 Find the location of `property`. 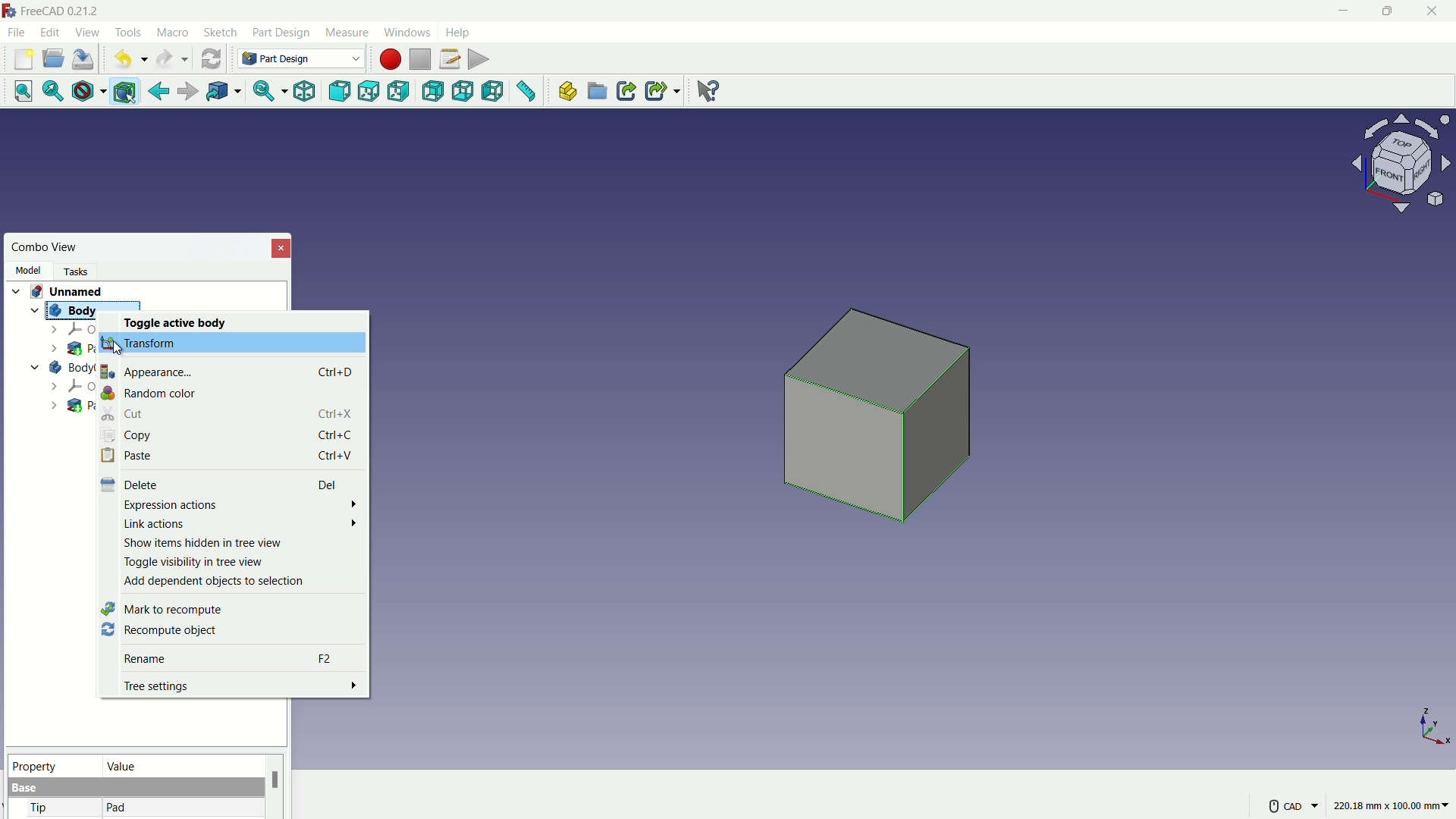

property is located at coordinates (52, 764).